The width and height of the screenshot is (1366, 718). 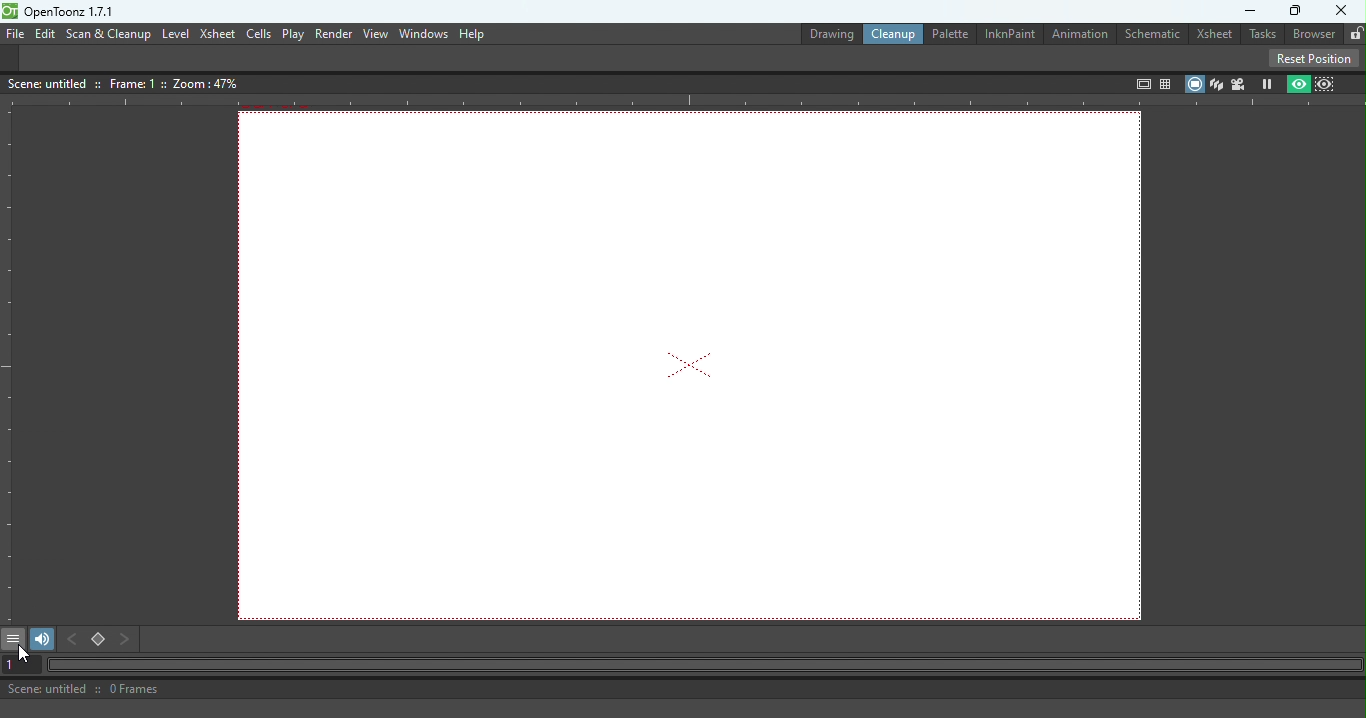 What do you see at coordinates (25, 657) in the screenshot?
I see `Cursor` at bounding box center [25, 657].